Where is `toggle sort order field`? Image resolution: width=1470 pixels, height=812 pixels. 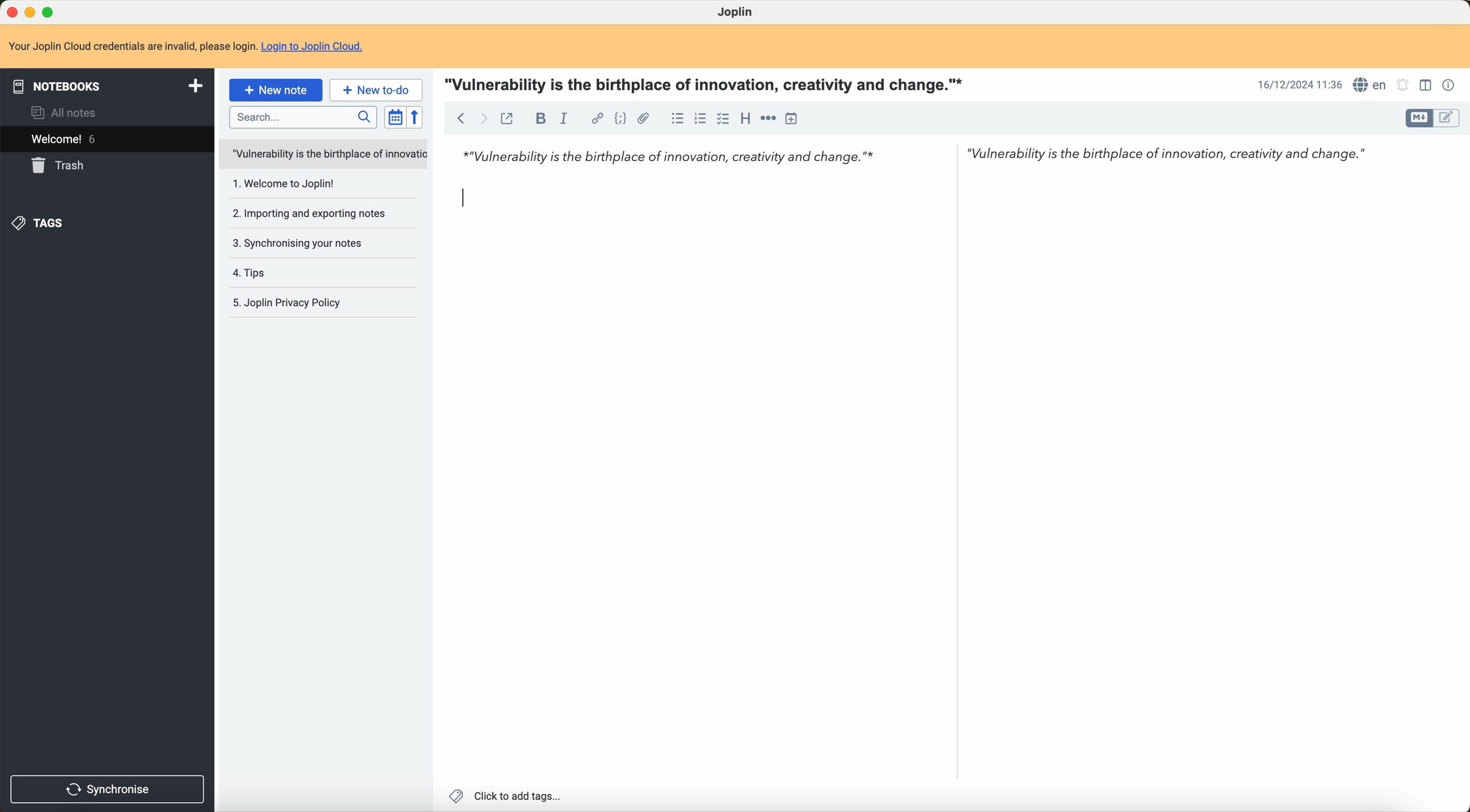 toggle sort order field is located at coordinates (393, 118).